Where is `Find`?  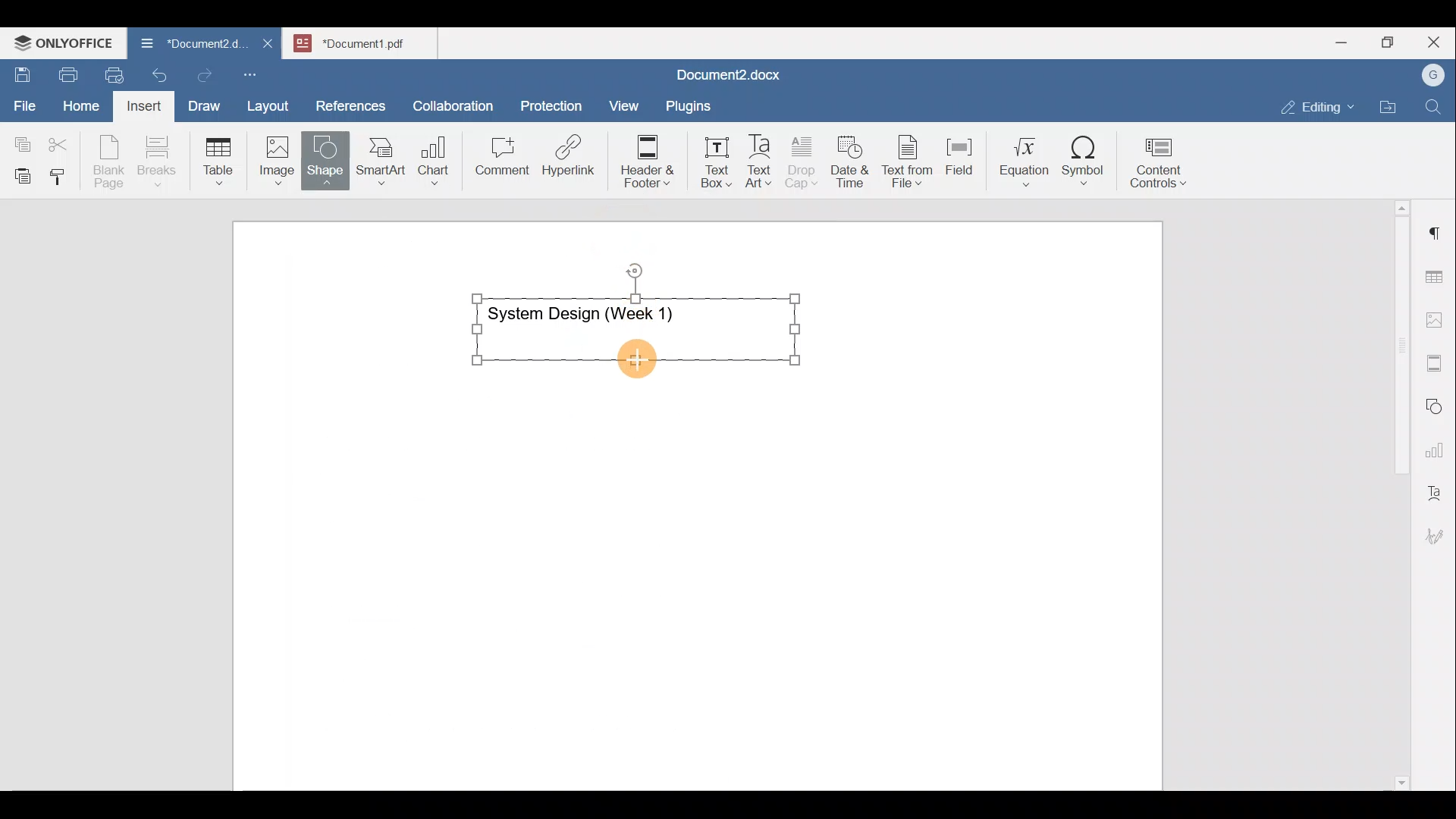
Find is located at coordinates (1435, 108).